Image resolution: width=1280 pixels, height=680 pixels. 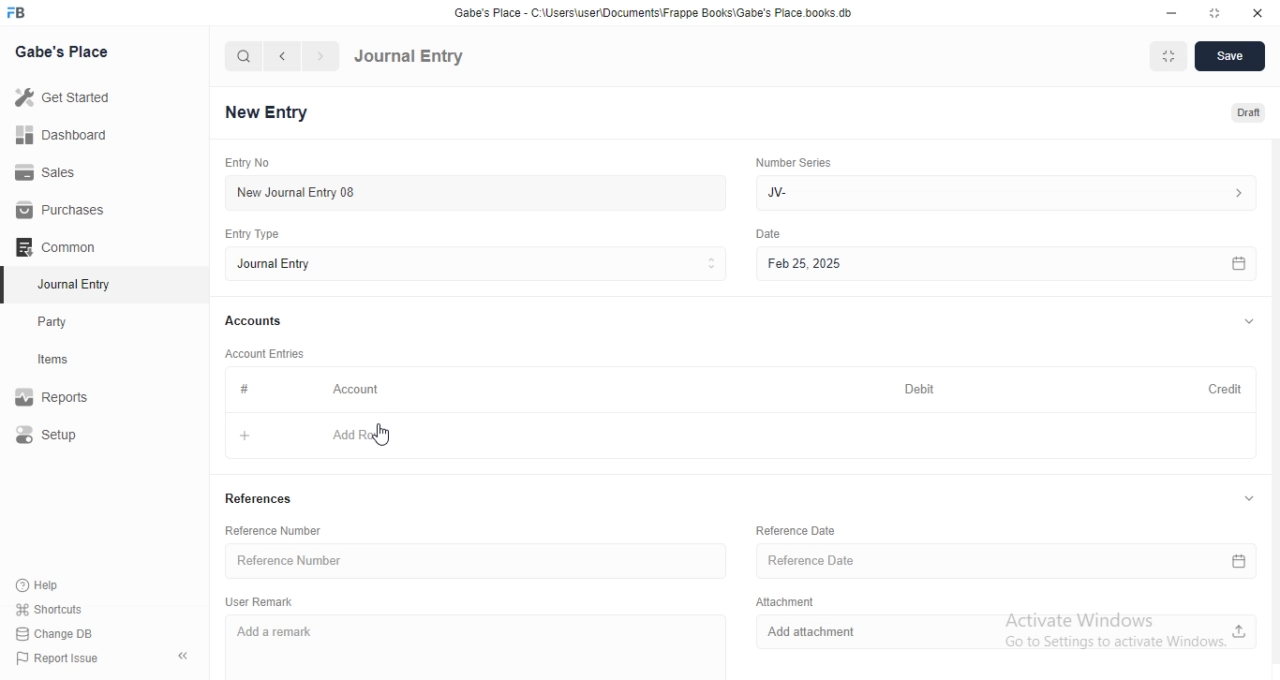 What do you see at coordinates (1248, 500) in the screenshot?
I see `expand/collapse` at bounding box center [1248, 500].